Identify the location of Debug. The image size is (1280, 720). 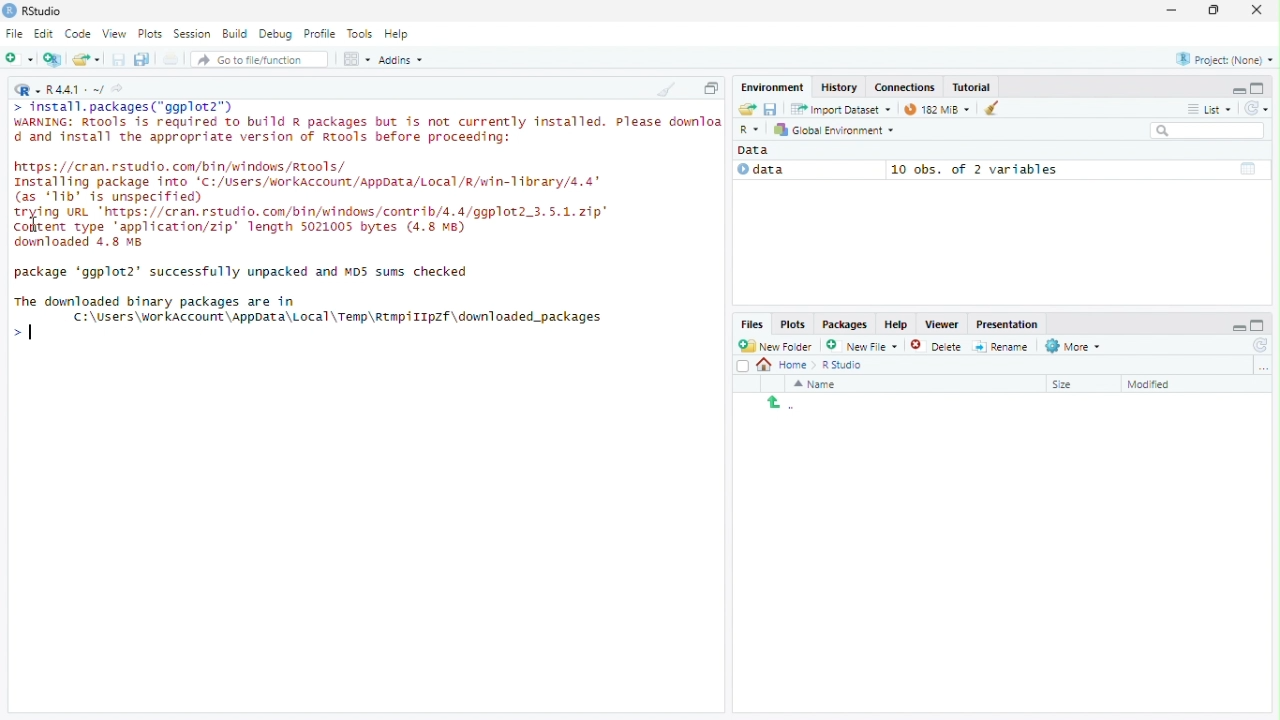
(278, 34).